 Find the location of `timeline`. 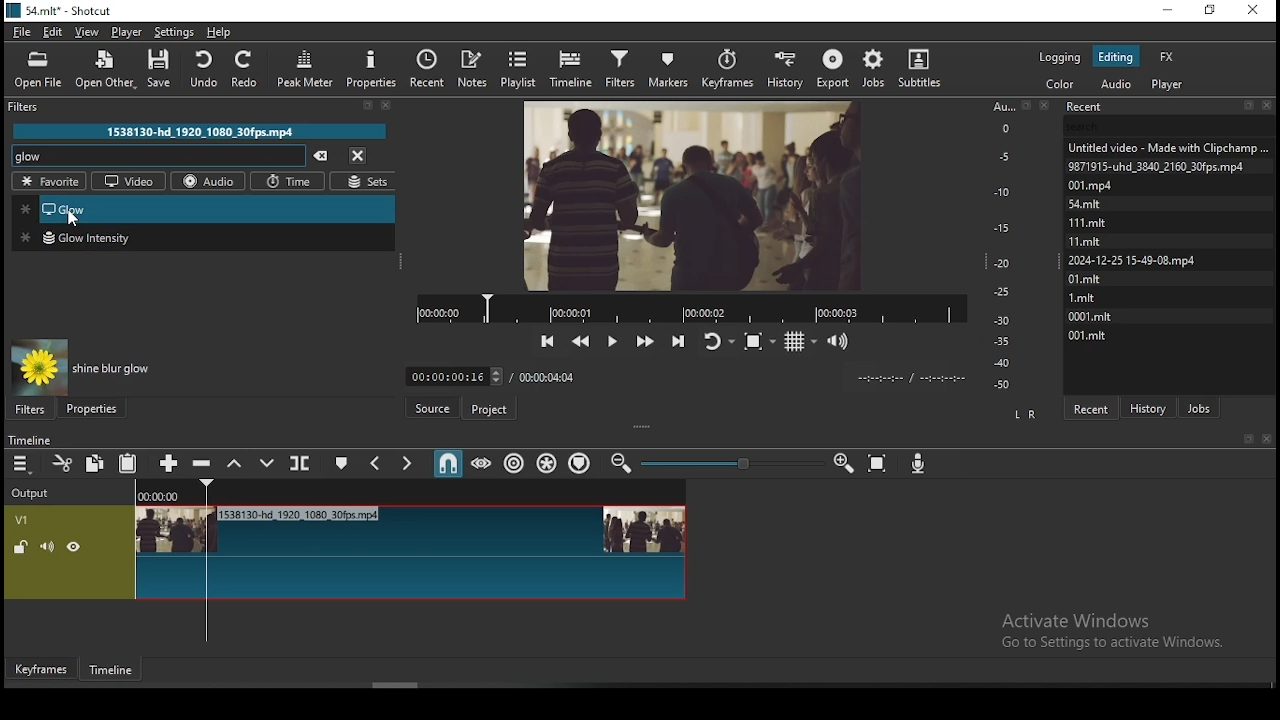

timeline is located at coordinates (114, 674).